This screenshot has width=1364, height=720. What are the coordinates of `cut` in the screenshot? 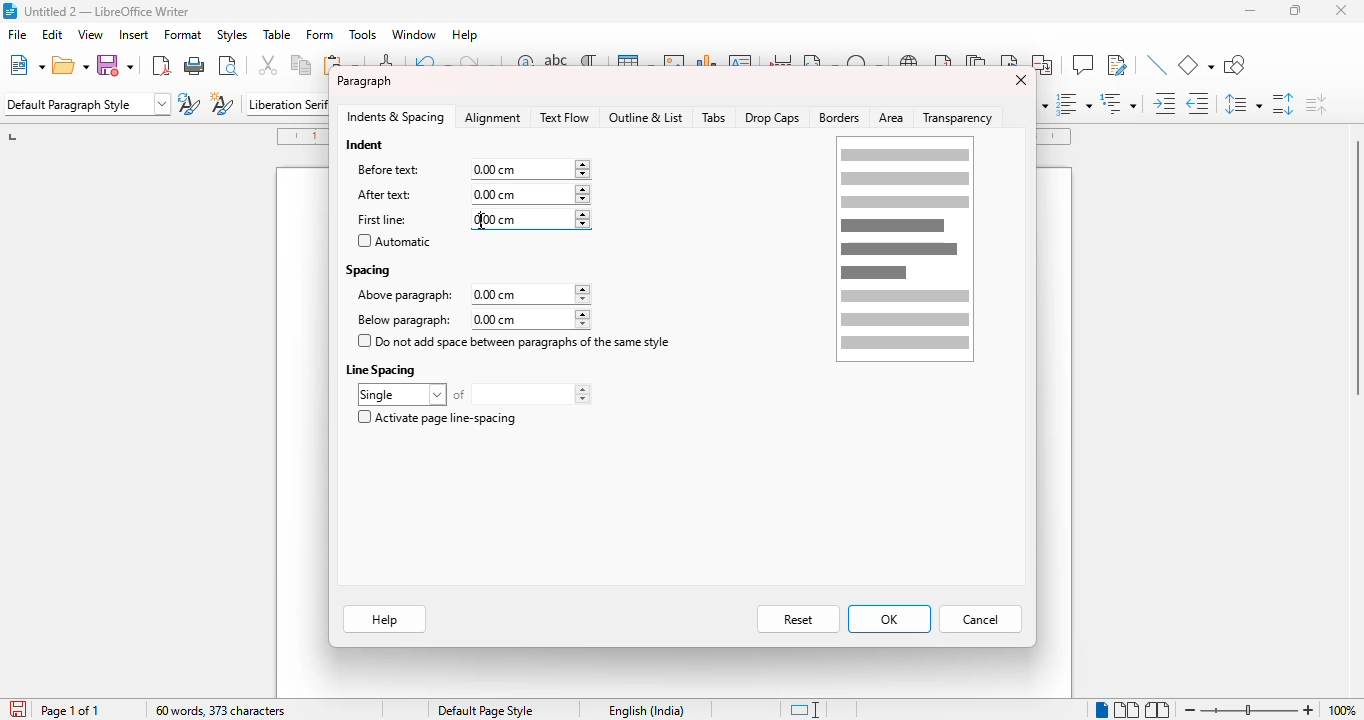 It's located at (269, 65).